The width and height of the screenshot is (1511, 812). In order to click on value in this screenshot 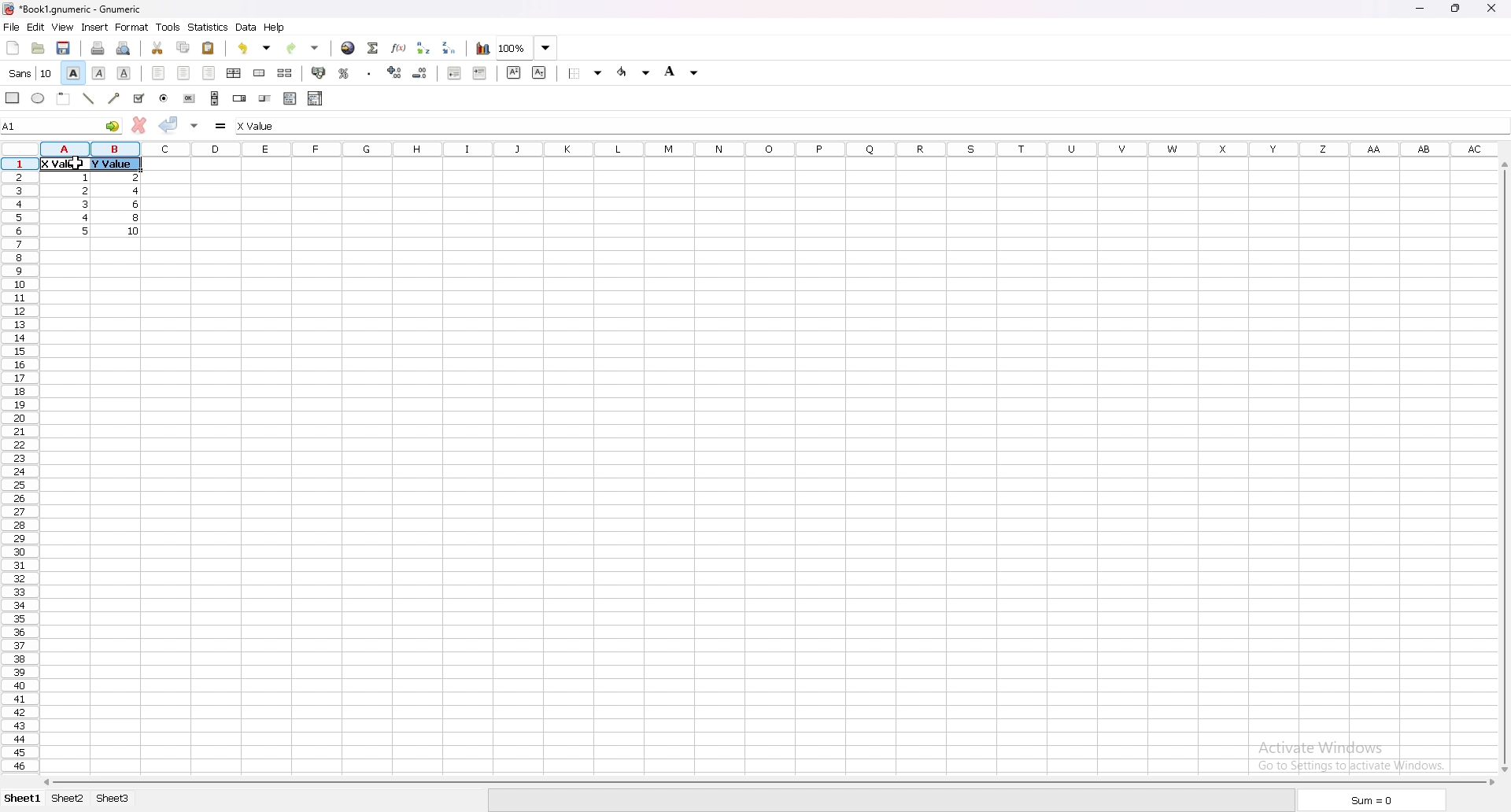, I will do `click(137, 177)`.